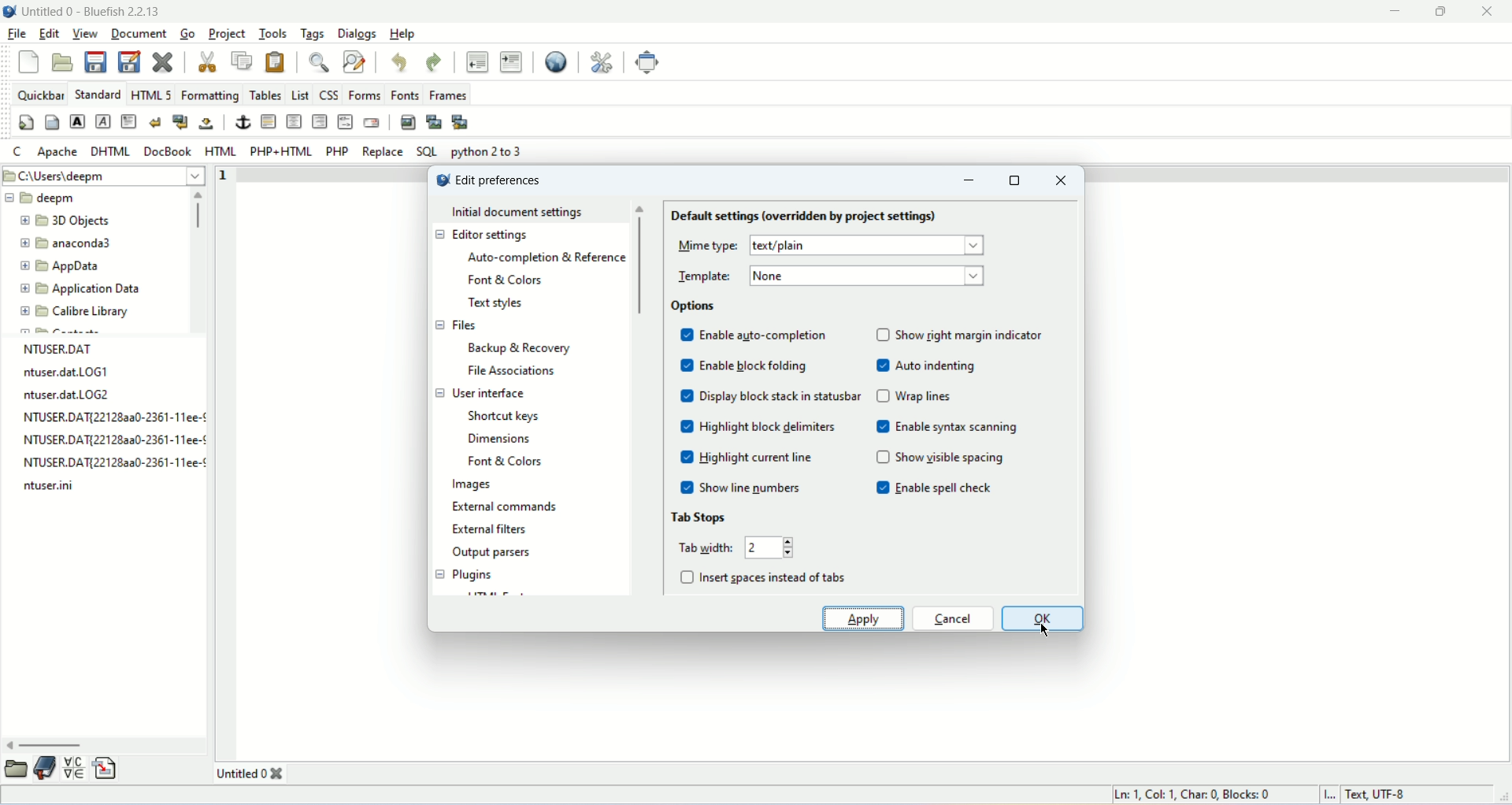 This screenshot has height=805, width=1512. What do you see at coordinates (947, 491) in the screenshot?
I see `enable spell check` at bounding box center [947, 491].